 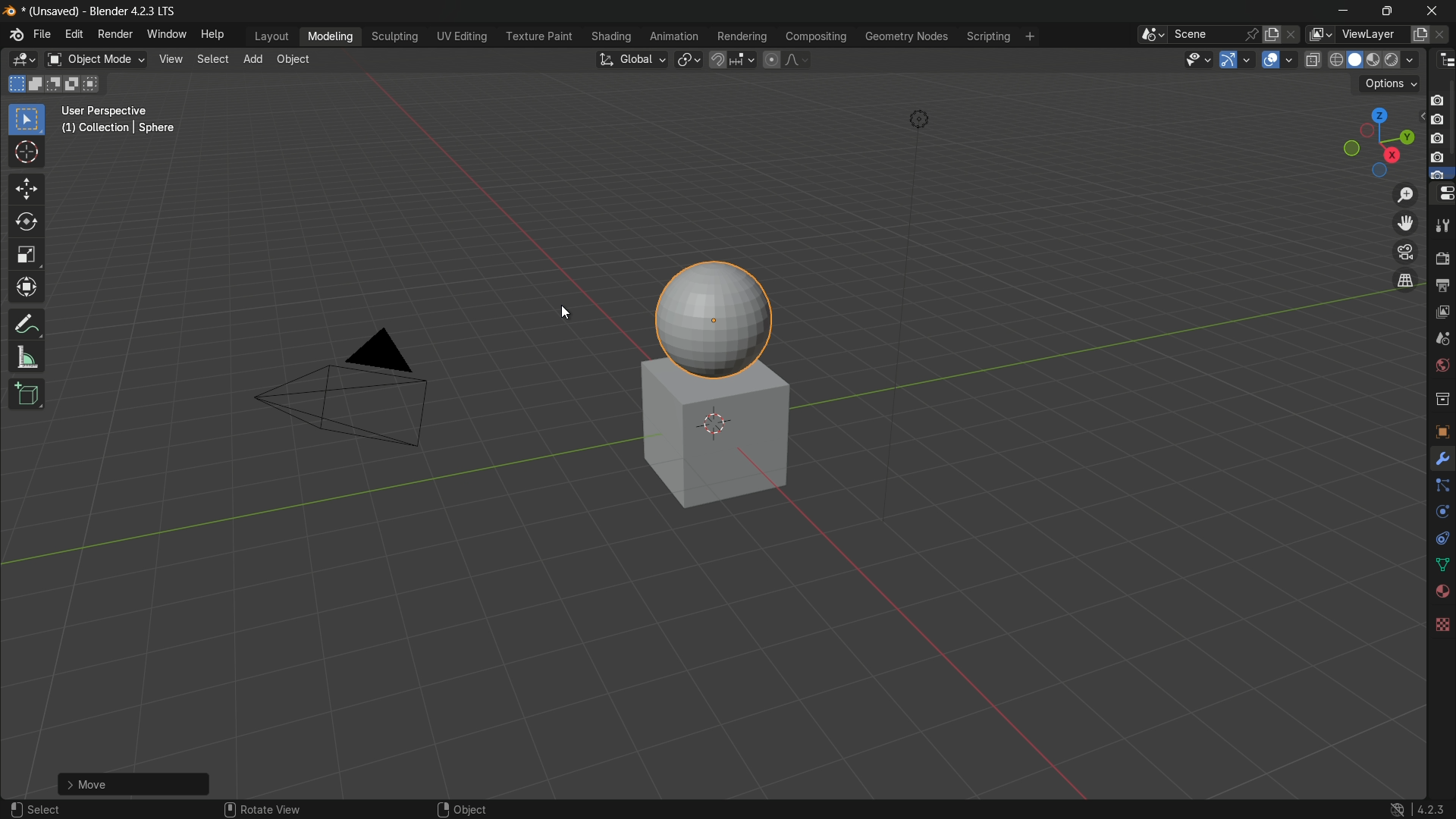 I want to click on properties, so click(x=1442, y=194).